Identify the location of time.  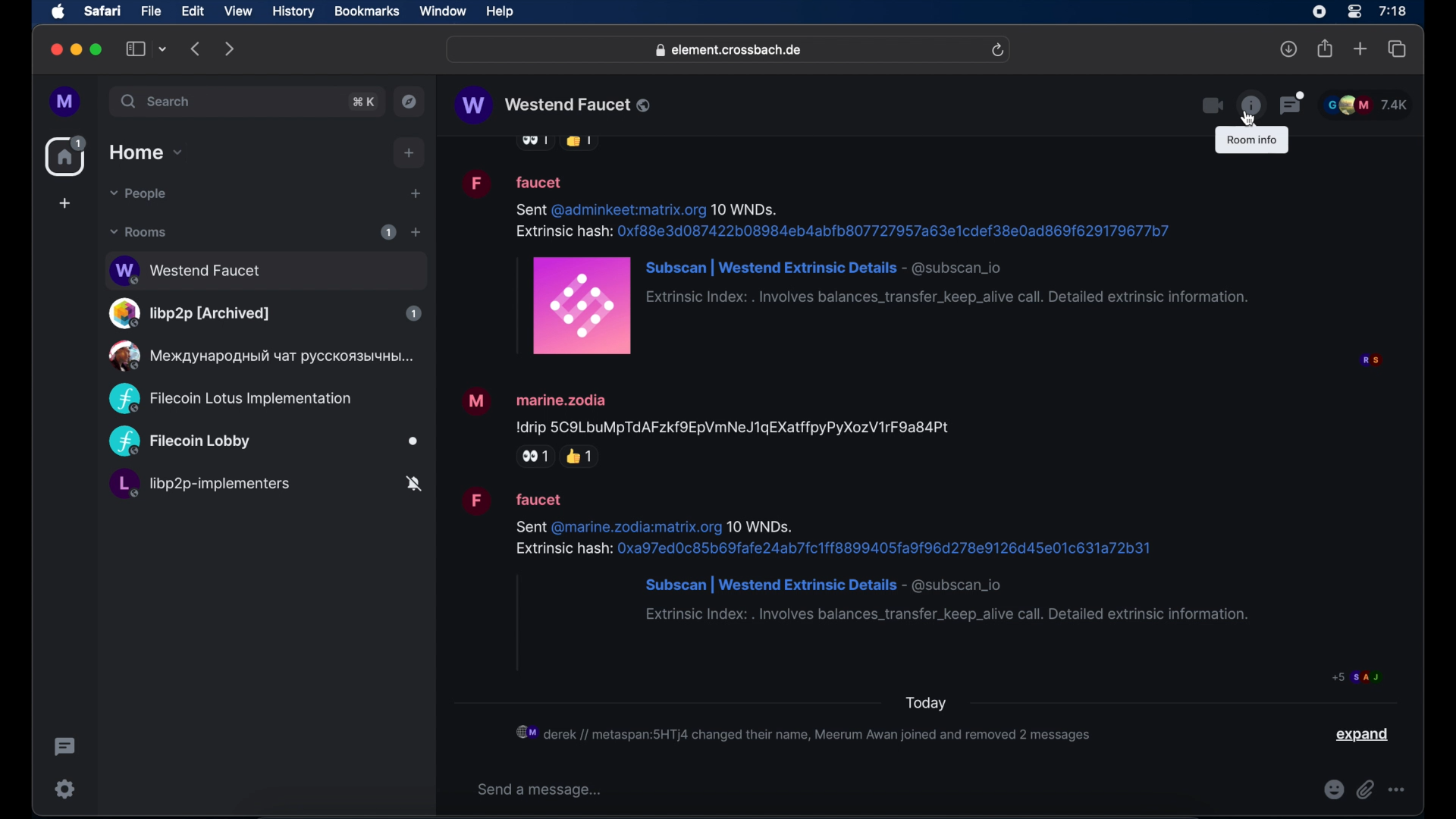
(1392, 11).